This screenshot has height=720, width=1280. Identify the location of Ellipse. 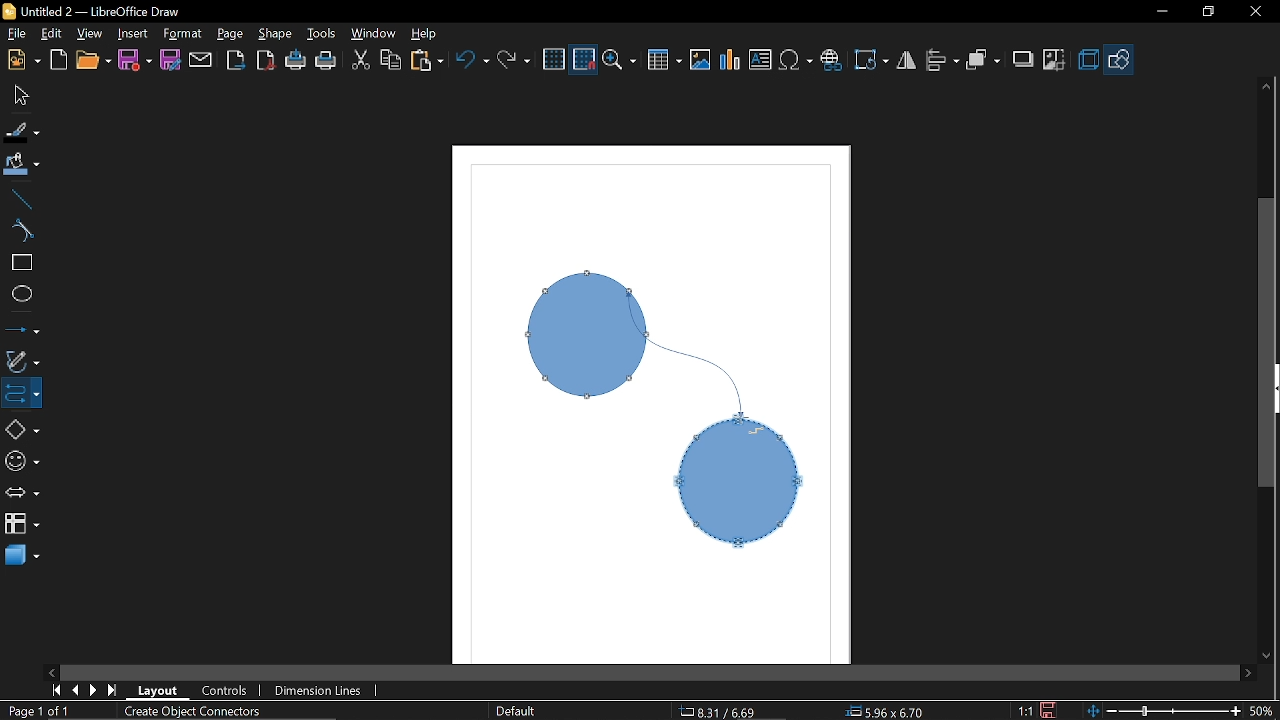
(19, 294).